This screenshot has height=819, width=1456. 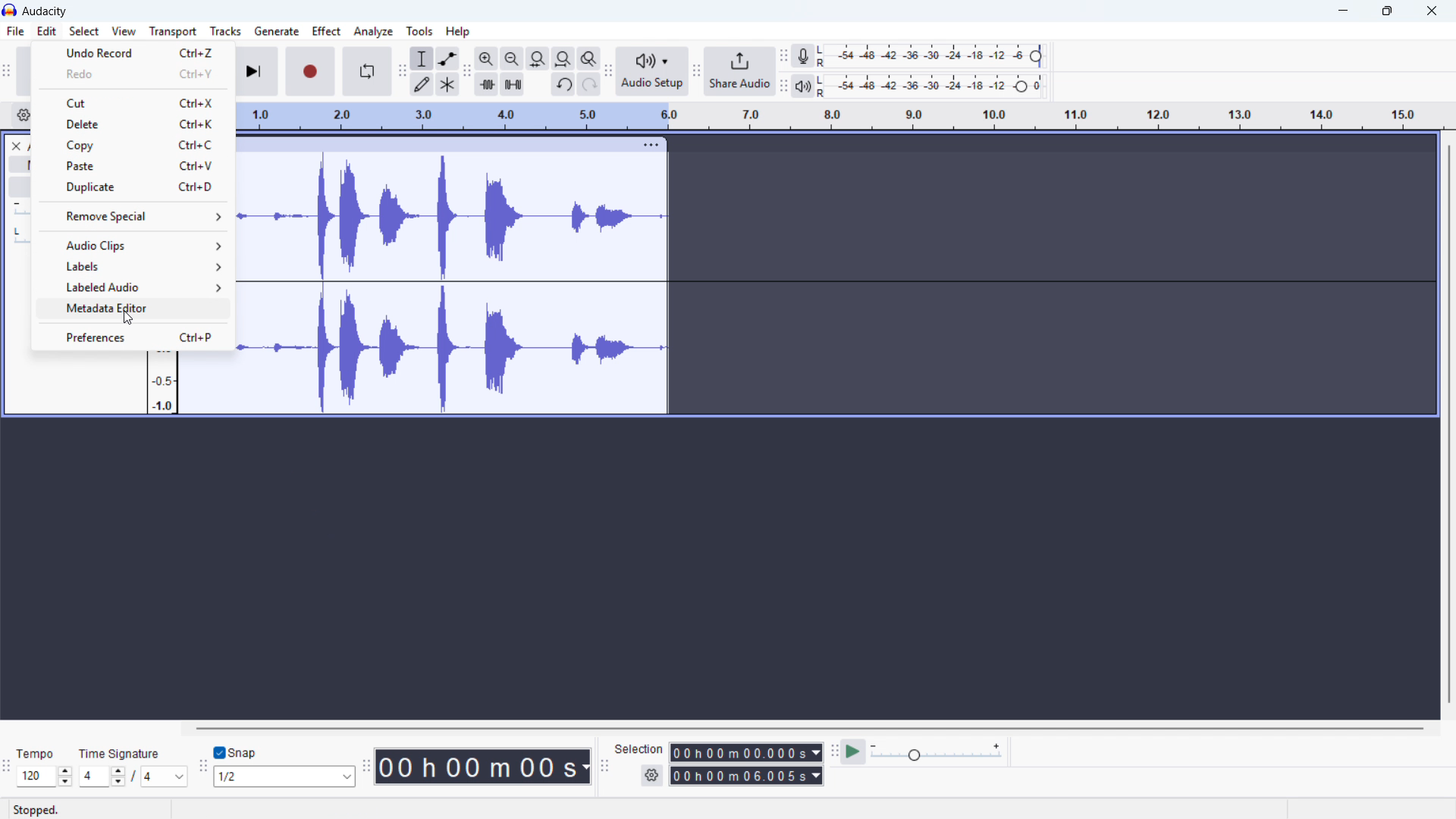 What do you see at coordinates (840, 116) in the screenshot?
I see `timeline` at bounding box center [840, 116].